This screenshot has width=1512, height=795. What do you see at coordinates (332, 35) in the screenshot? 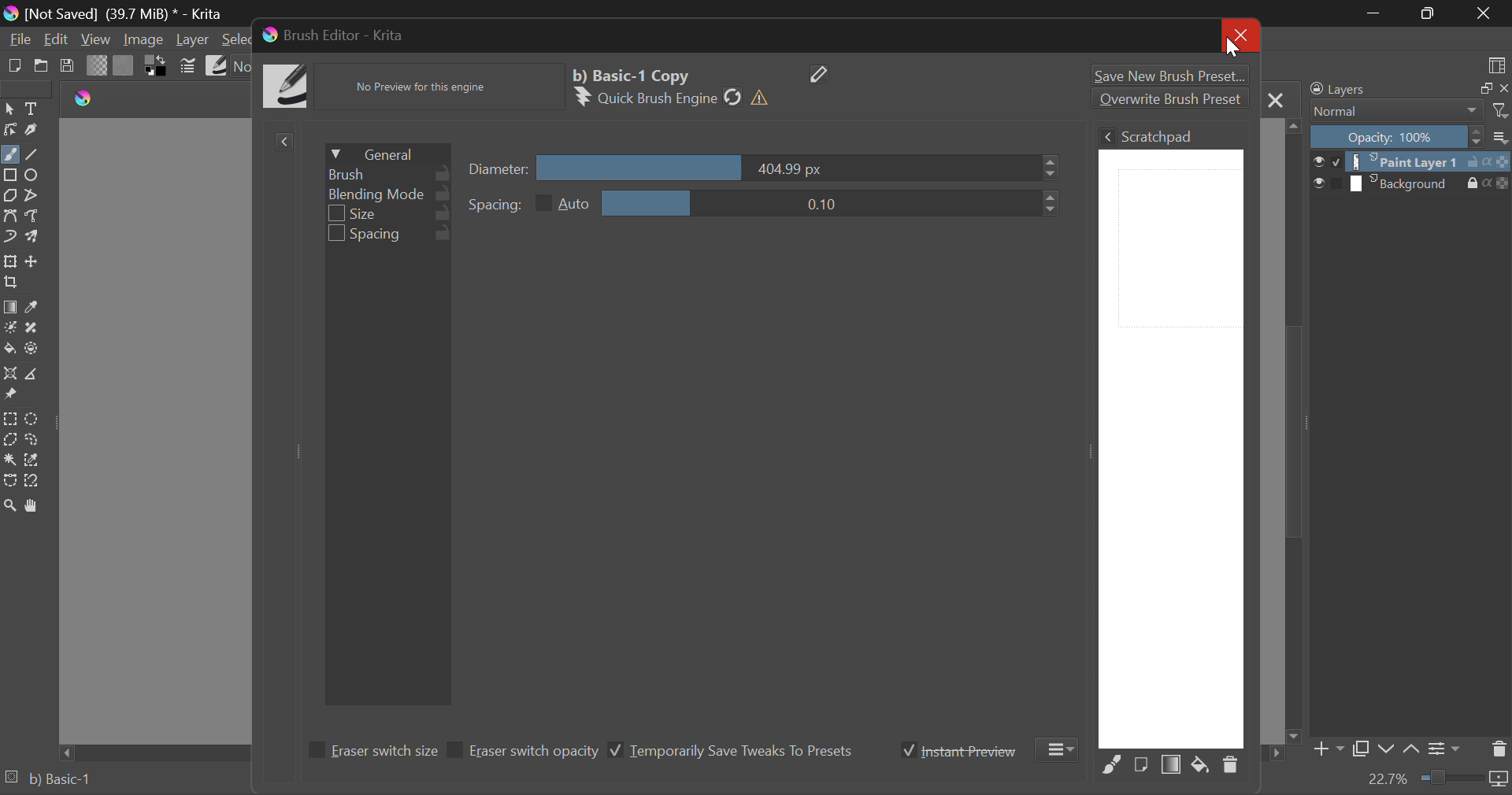
I see `Brush Editor-Krita` at bounding box center [332, 35].